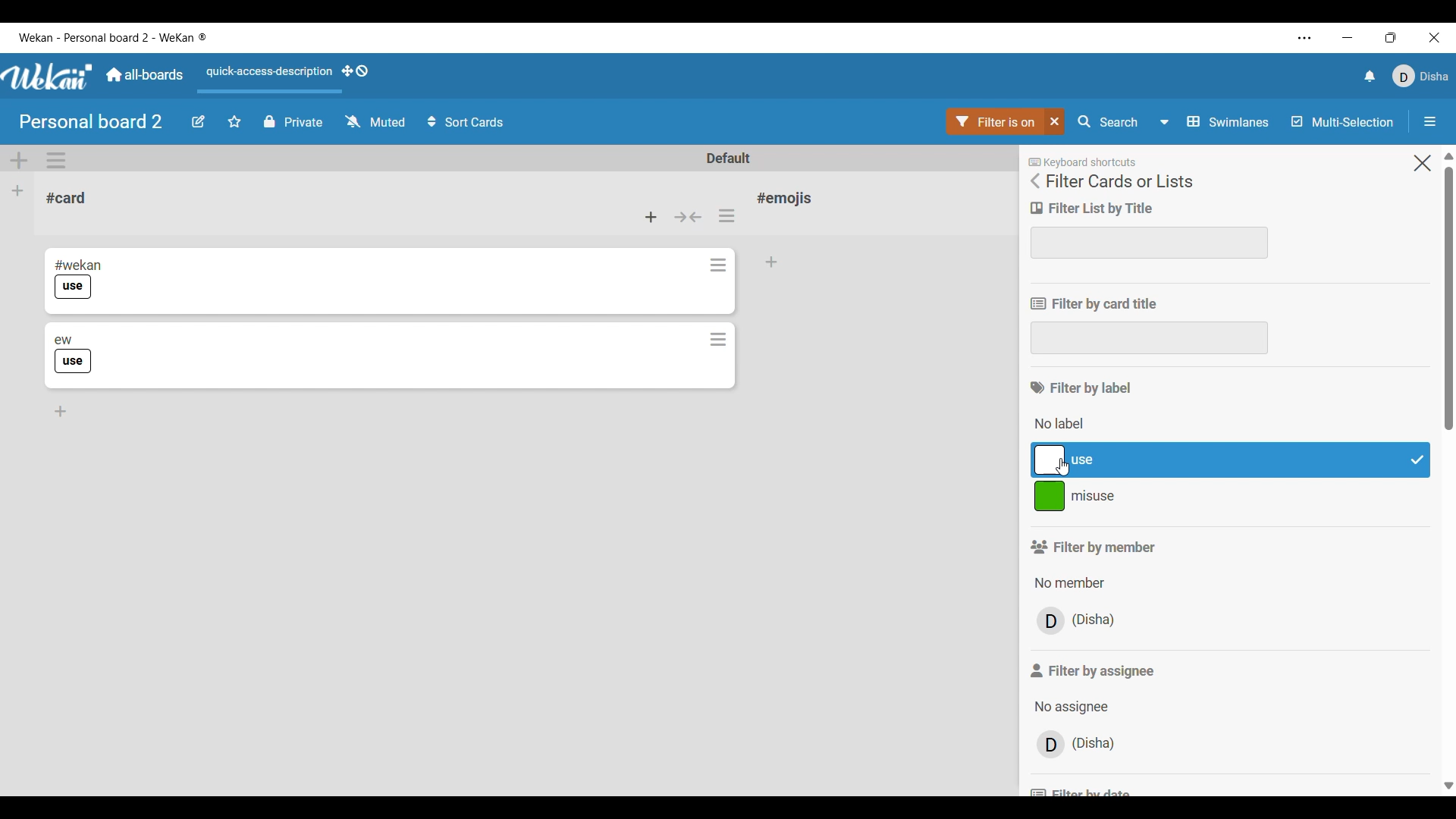 This screenshot has height=819, width=1456. Describe the element at coordinates (726, 215) in the screenshot. I see `List actions` at that location.